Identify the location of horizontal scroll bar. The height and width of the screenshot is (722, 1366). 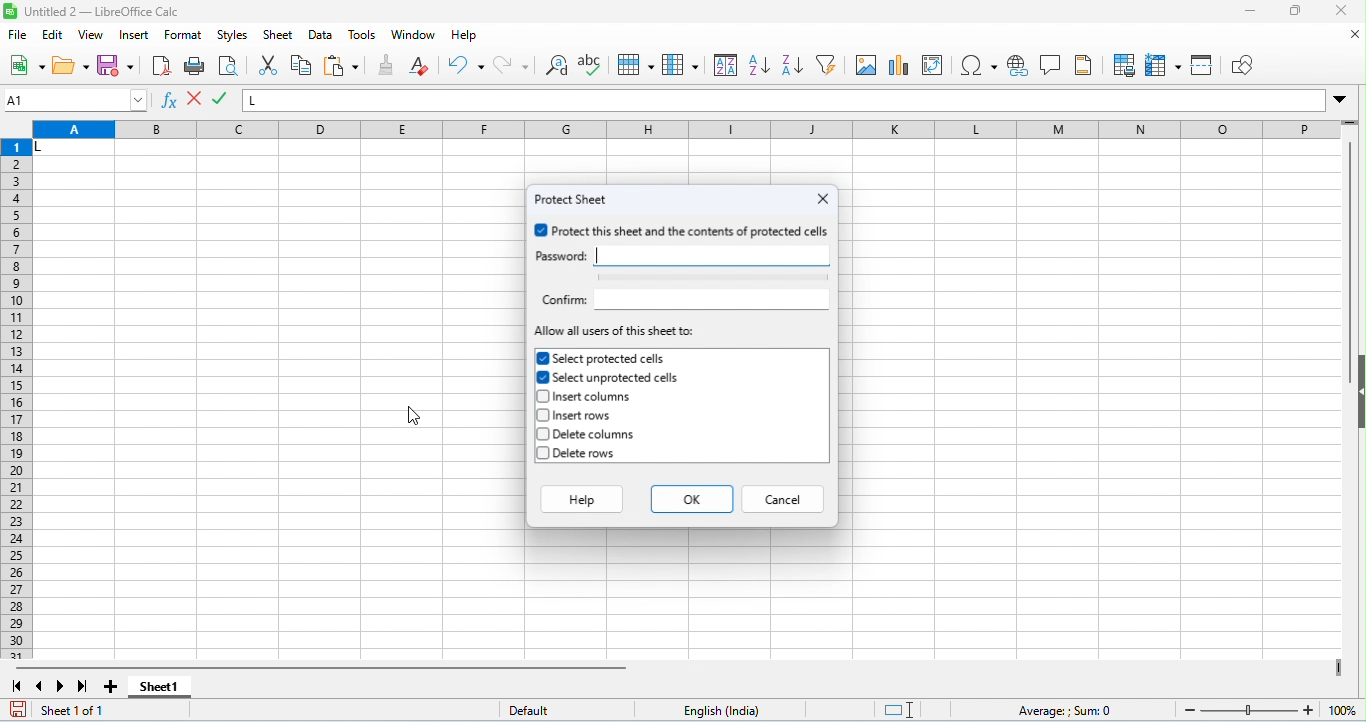
(326, 668).